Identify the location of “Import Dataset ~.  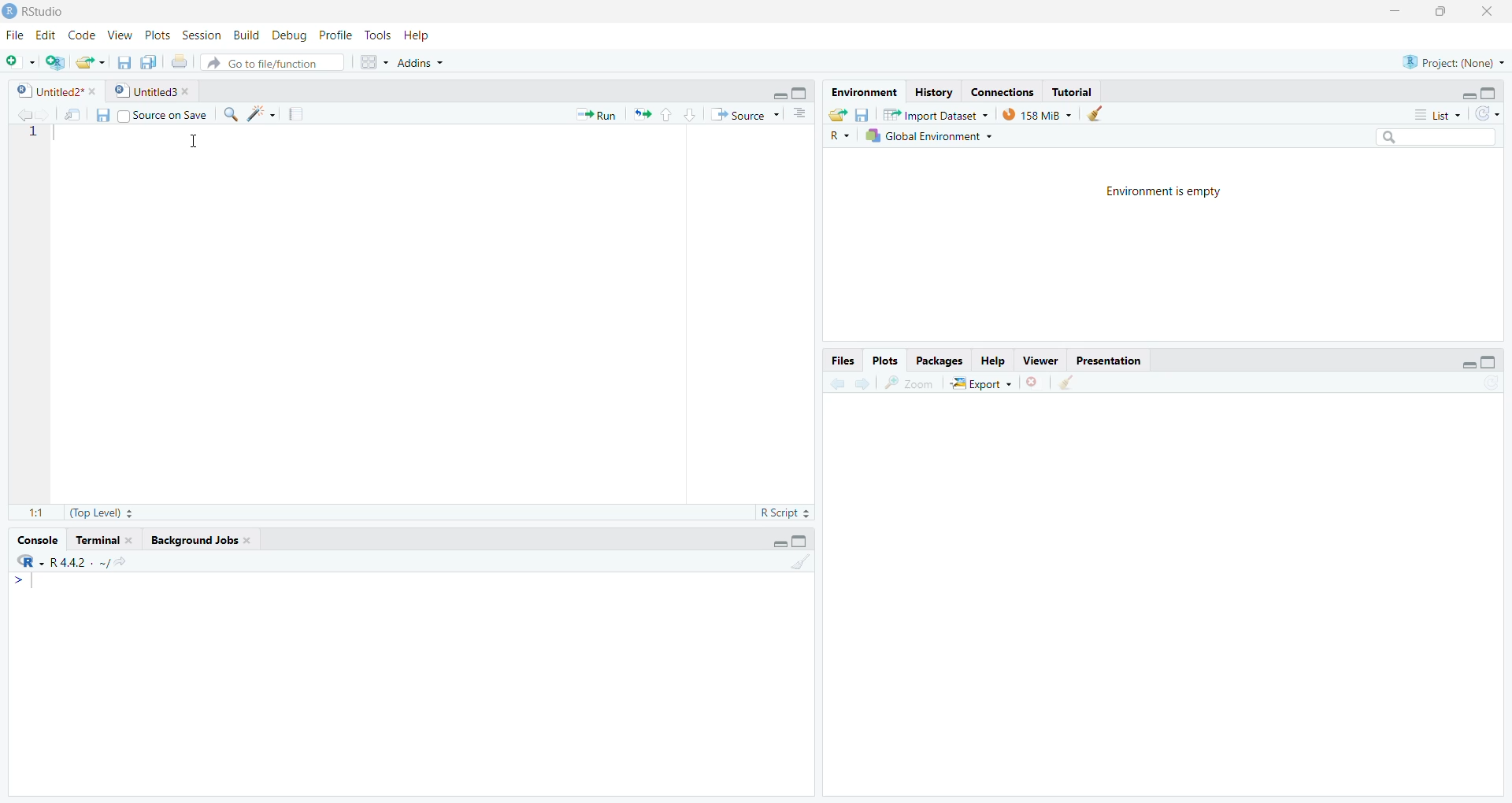
(935, 114).